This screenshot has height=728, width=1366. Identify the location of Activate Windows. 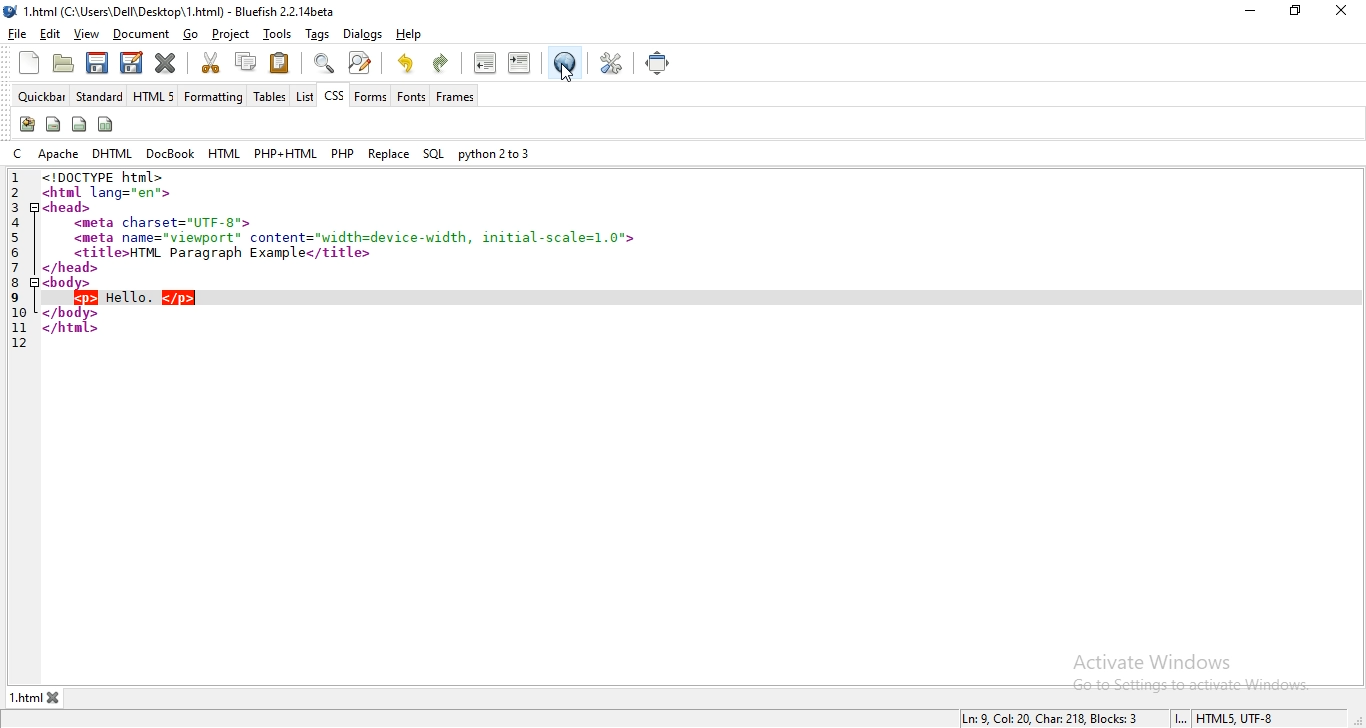
(1157, 661).